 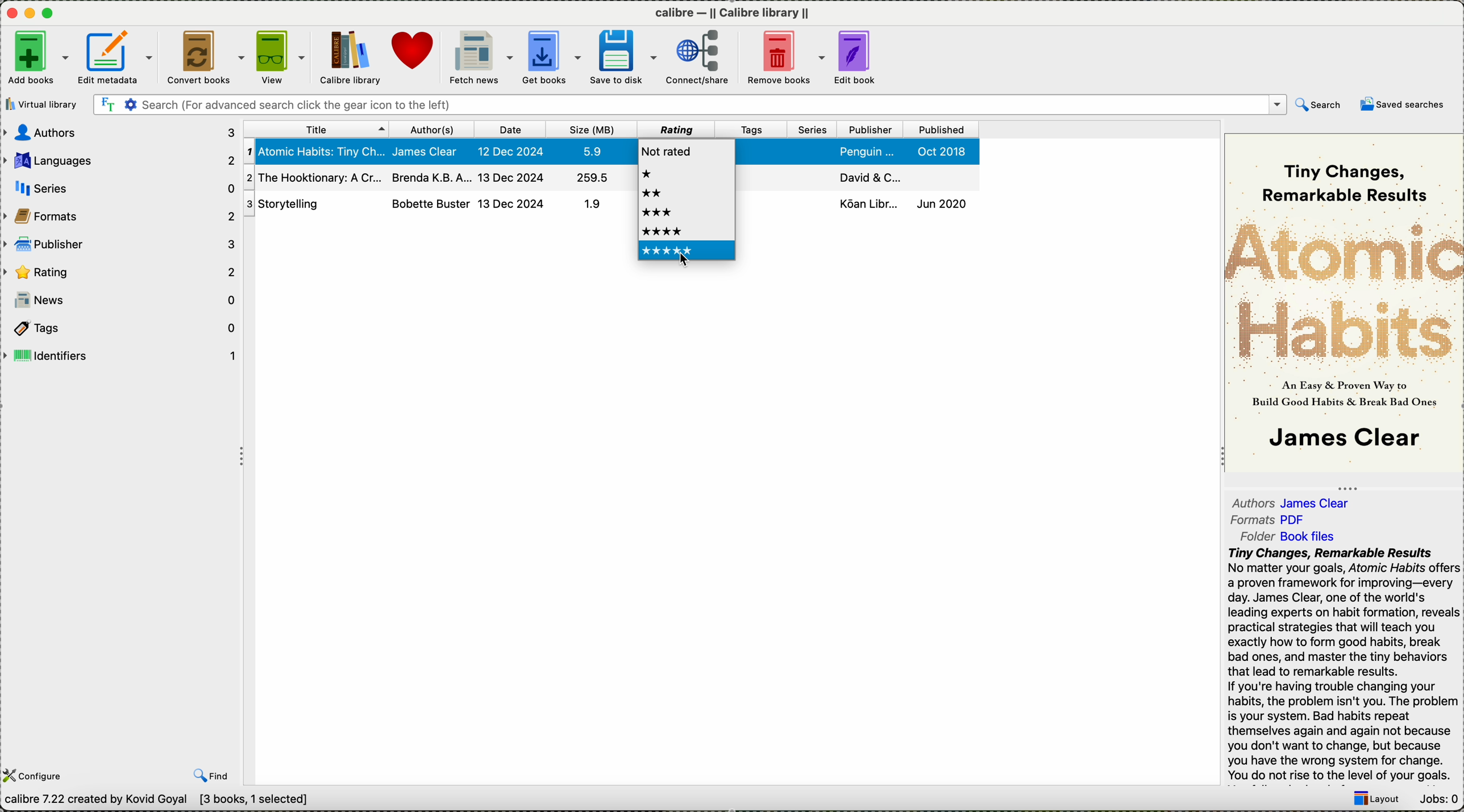 I want to click on date, so click(x=511, y=130).